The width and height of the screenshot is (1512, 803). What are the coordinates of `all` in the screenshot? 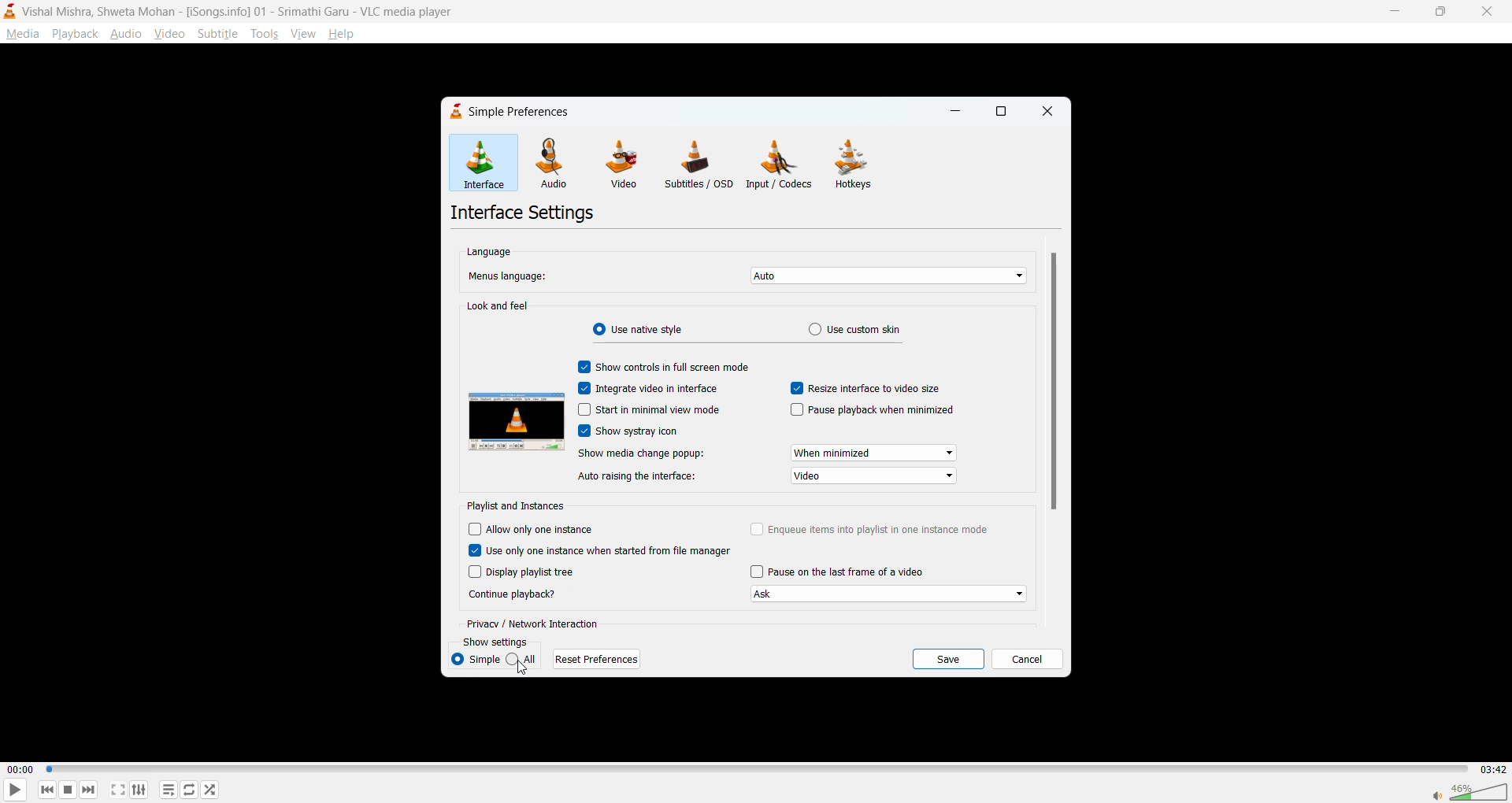 It's located at (525, 660).